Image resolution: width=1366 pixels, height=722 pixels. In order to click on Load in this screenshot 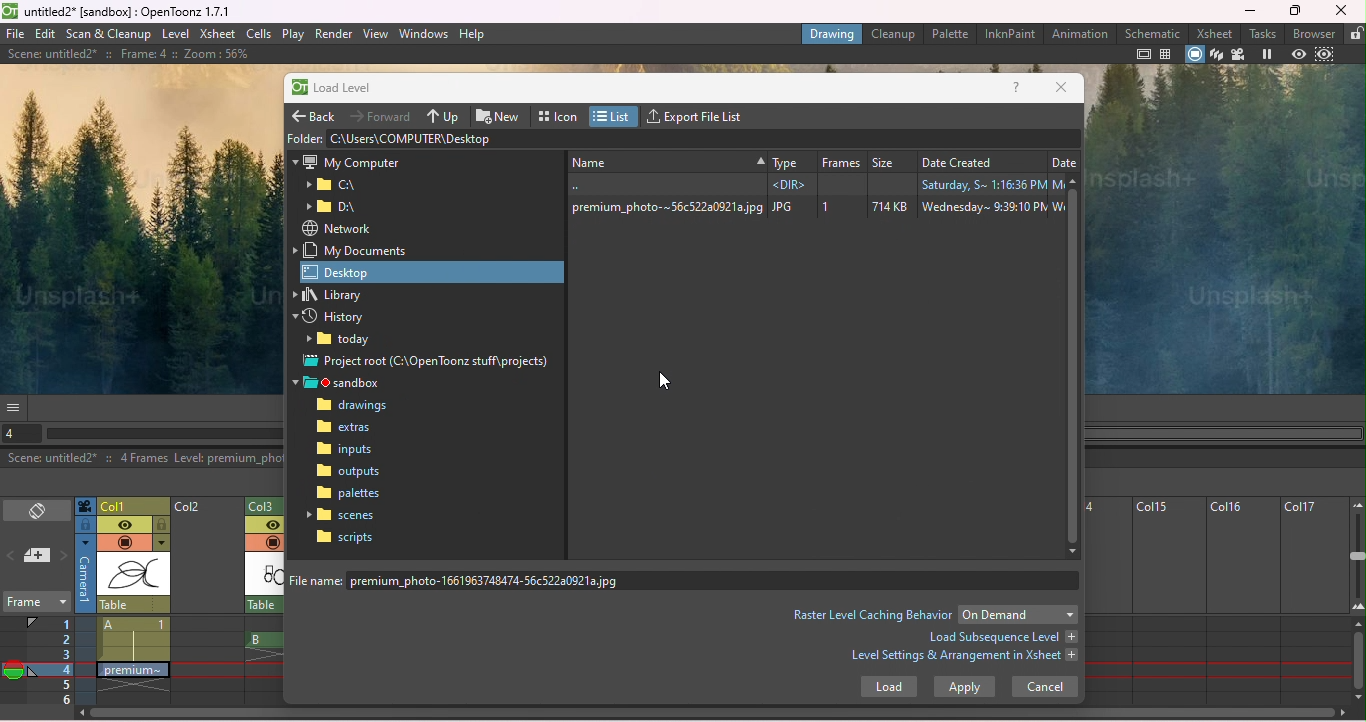, I will do `click(888, 689)`.